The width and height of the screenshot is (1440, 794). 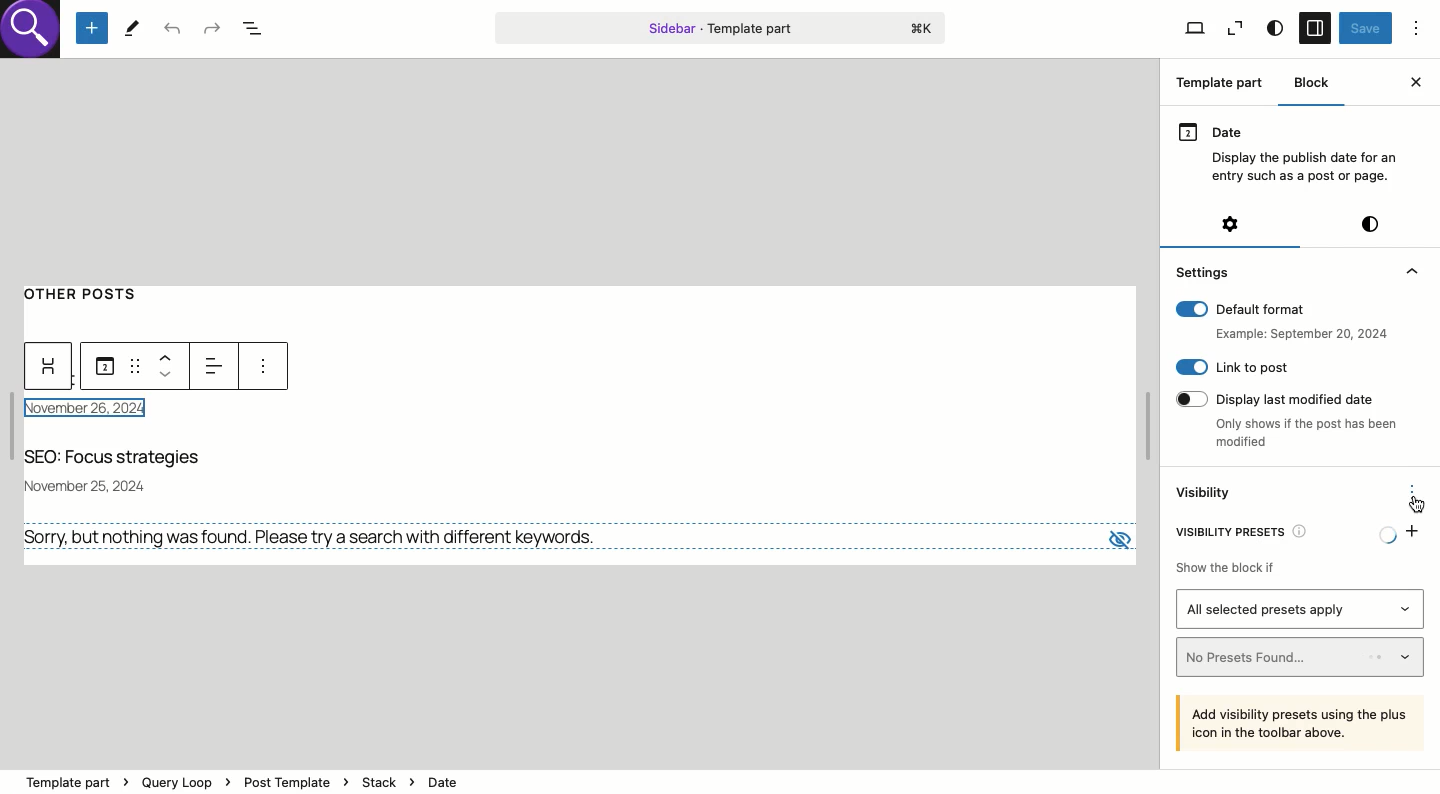 I want to click on Draf, so click(x=133, y=364).